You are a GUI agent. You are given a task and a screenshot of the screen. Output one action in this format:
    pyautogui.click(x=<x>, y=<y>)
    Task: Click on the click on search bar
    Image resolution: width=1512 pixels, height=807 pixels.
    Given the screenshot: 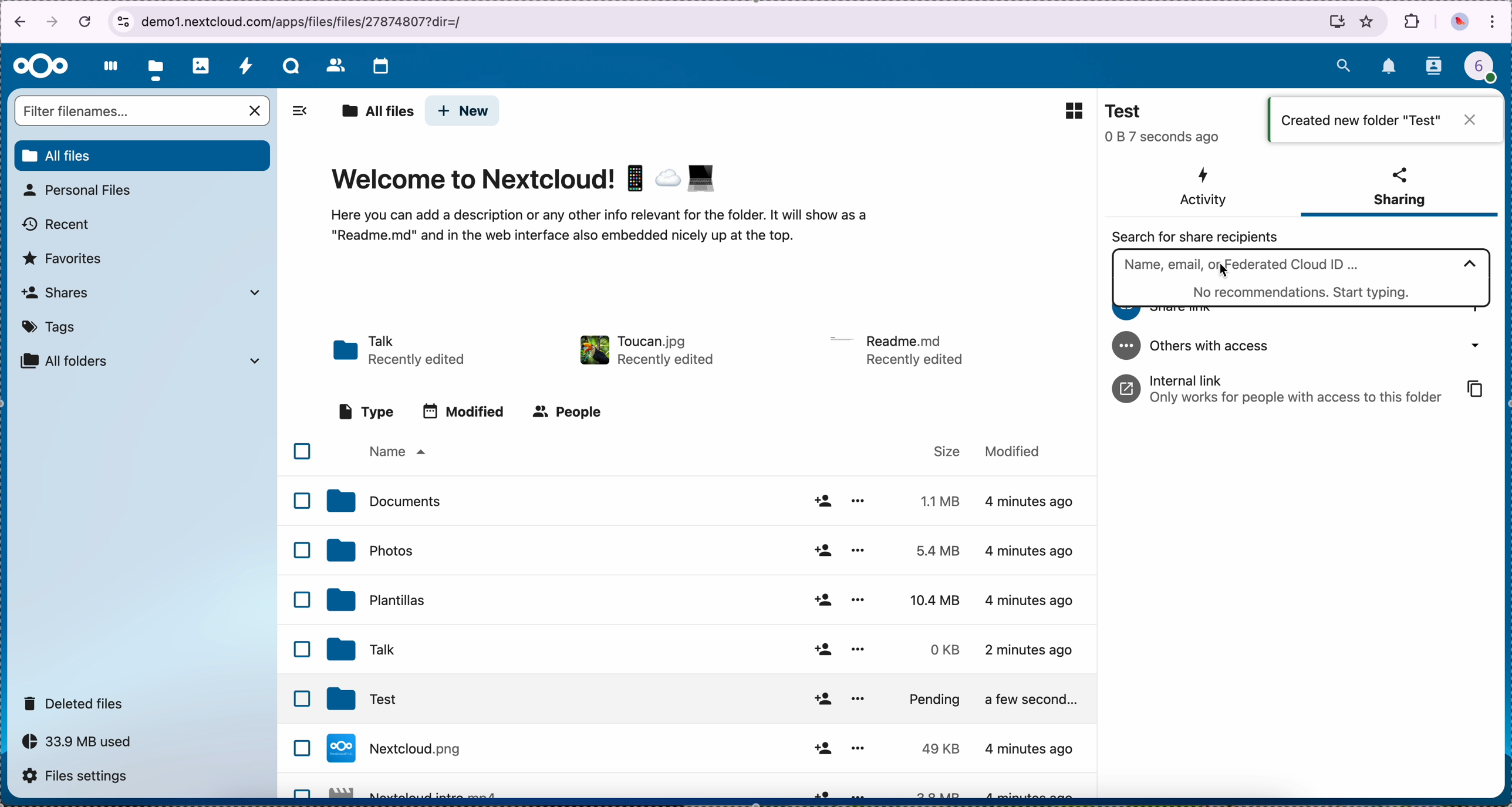 What is the action you would take?
    pyautogui.click(x=1301, y=266)
    